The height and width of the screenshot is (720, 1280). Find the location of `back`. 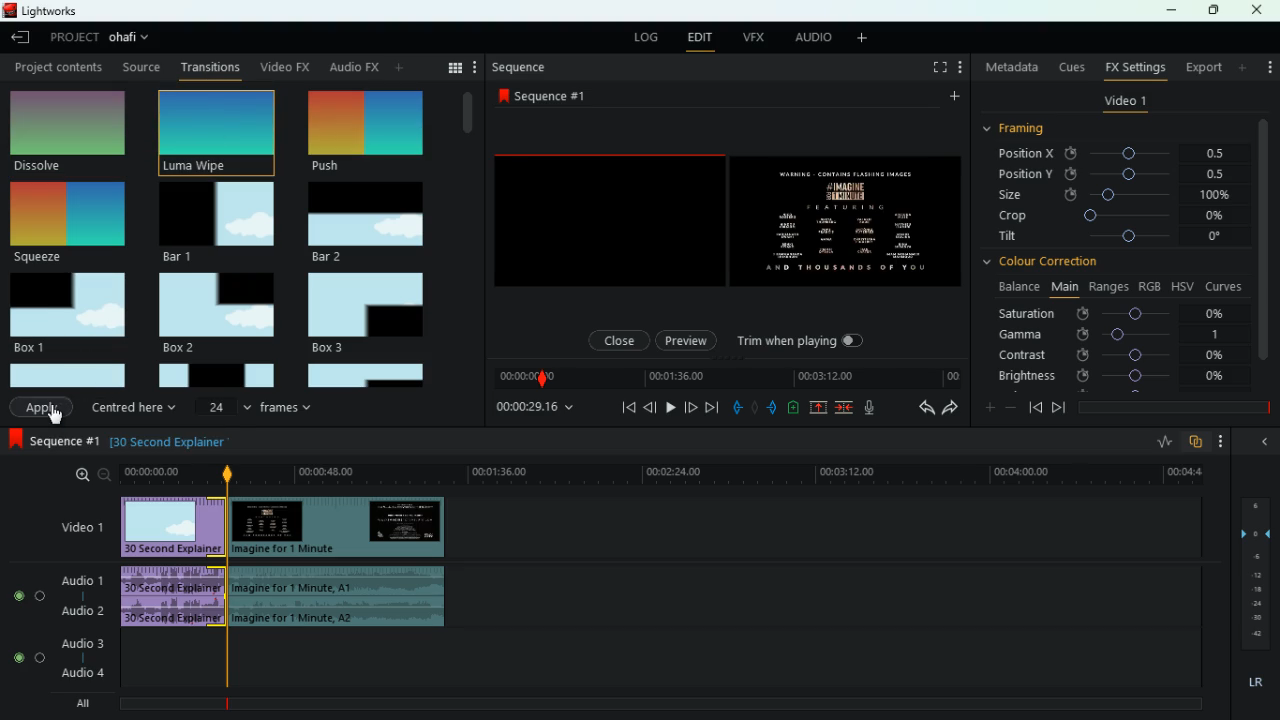

back is located at coordinates (1262, 441).